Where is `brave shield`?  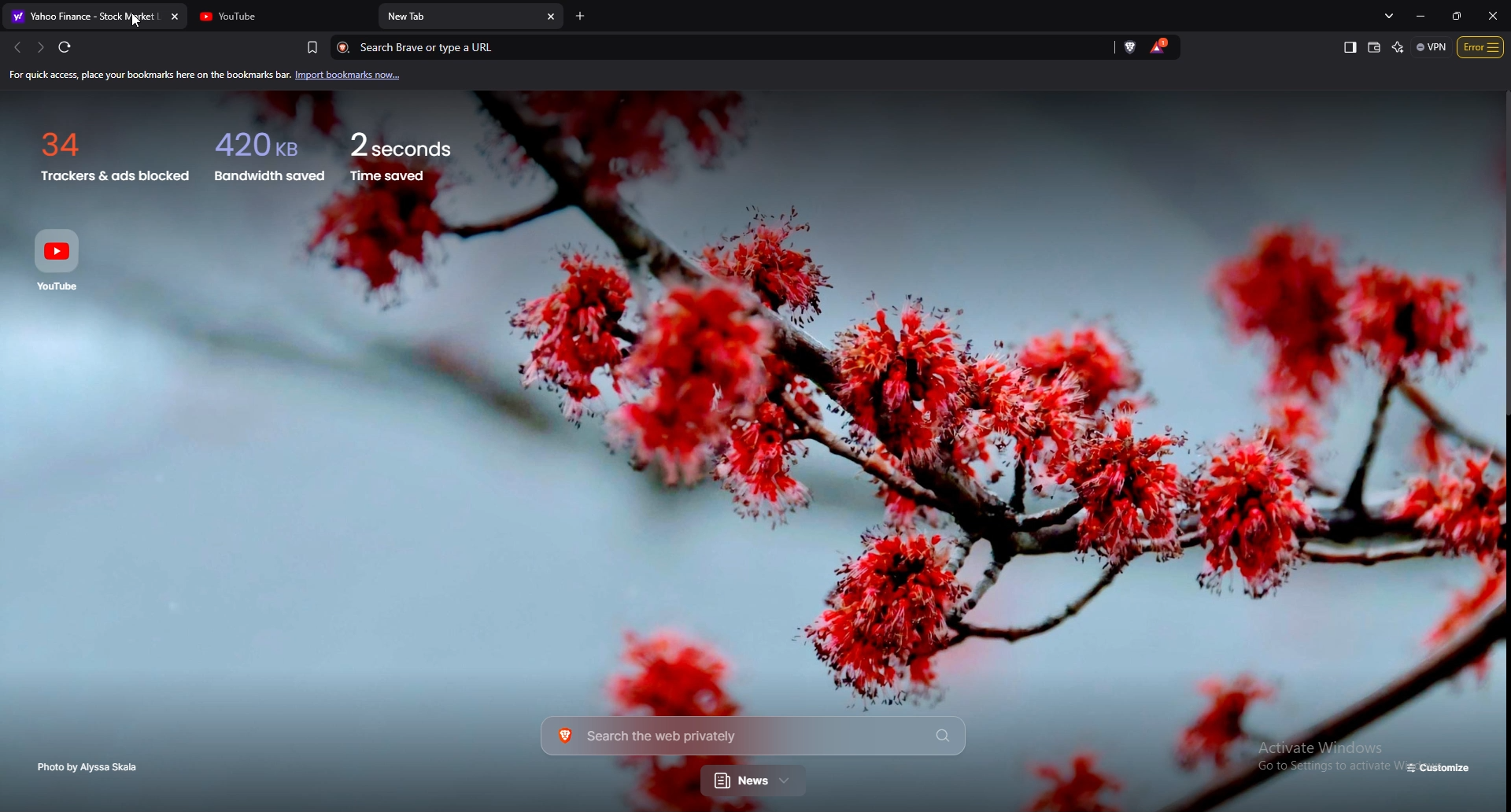
brave shield is located at coordinates (1132, 46).